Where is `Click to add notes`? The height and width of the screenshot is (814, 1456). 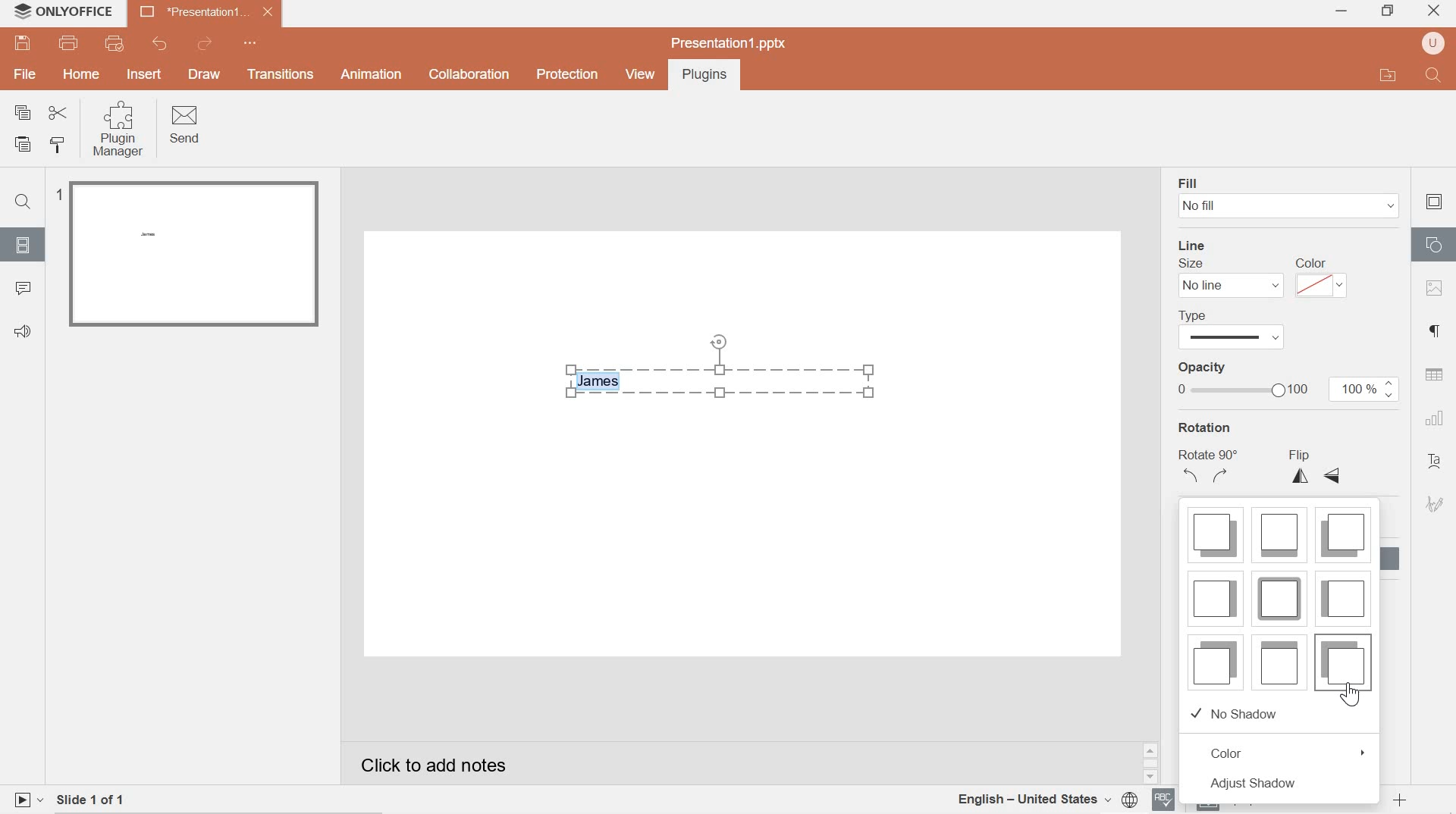
Click to add notes is located at coordinates (454, 761).